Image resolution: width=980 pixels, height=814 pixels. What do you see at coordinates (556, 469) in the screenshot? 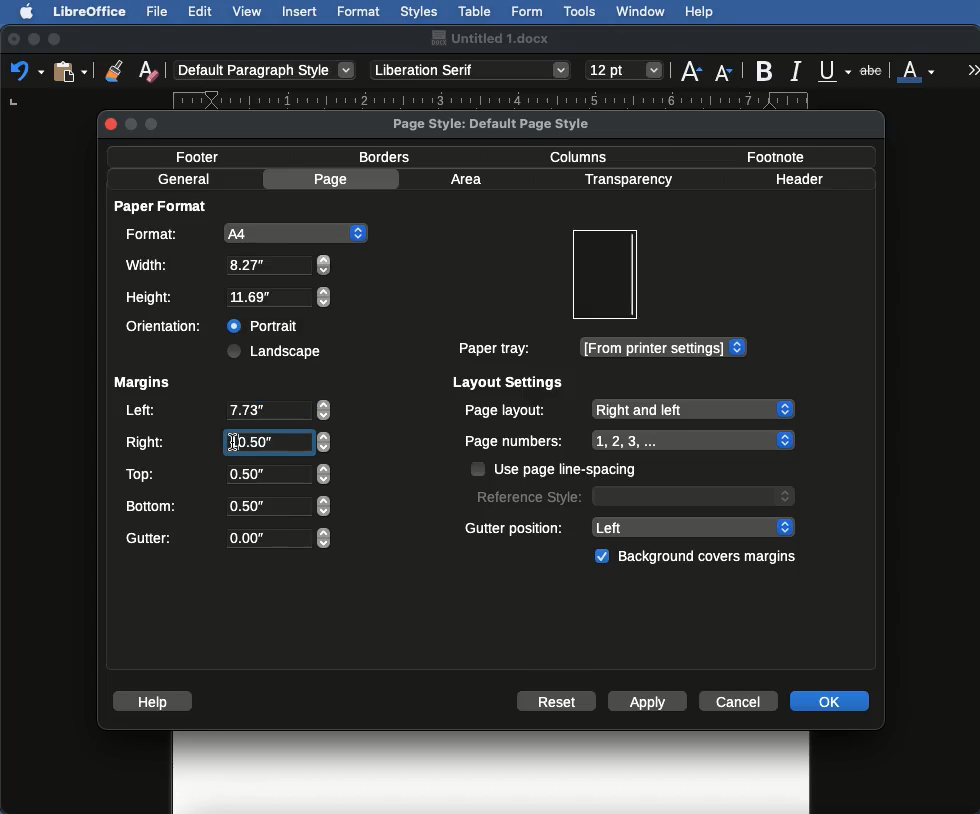
I see `Use page line spacing` at bounding box center [556, 469].